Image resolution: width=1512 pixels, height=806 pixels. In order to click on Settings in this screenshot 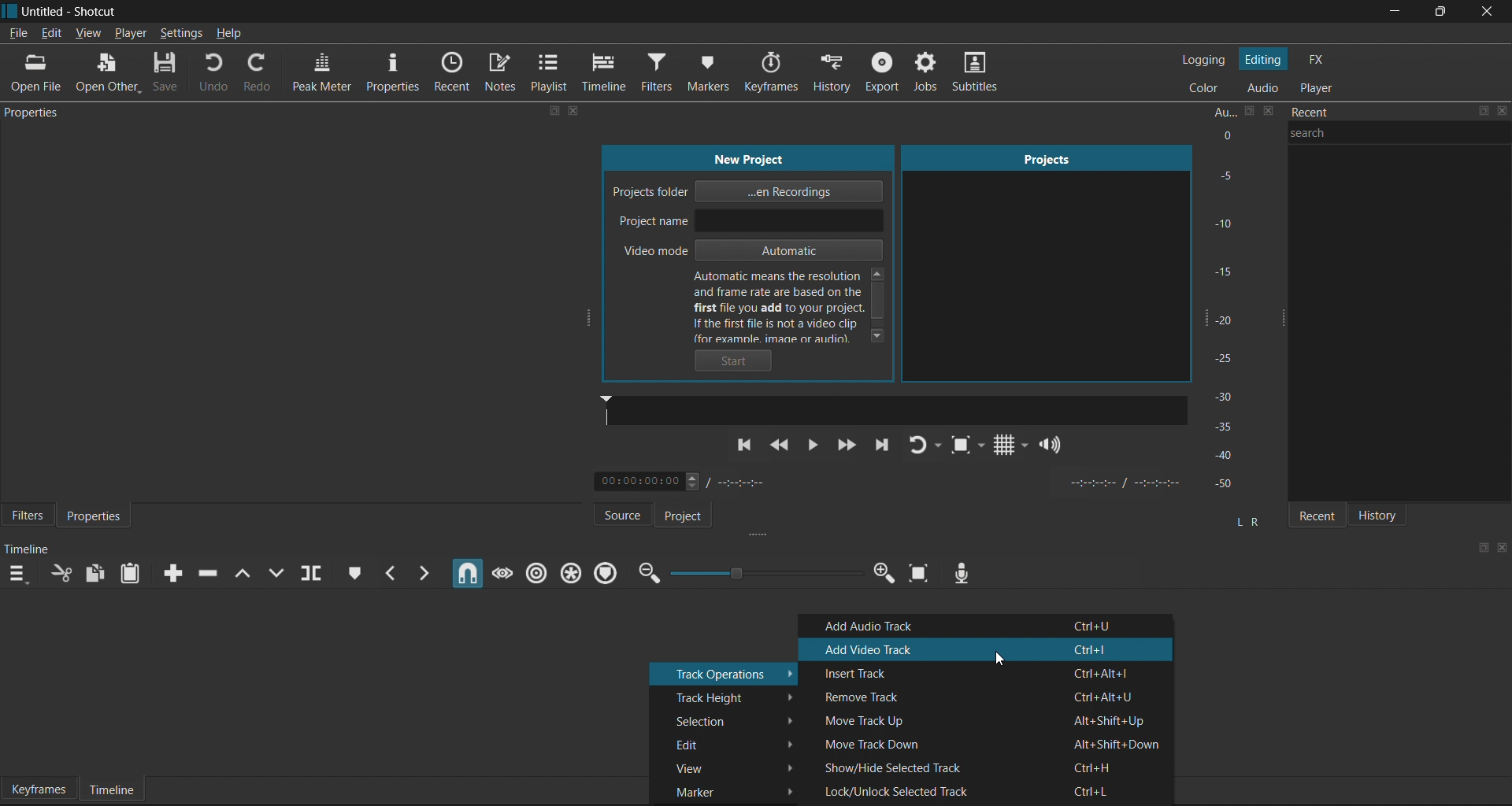, I will do `click(183, 33)`.